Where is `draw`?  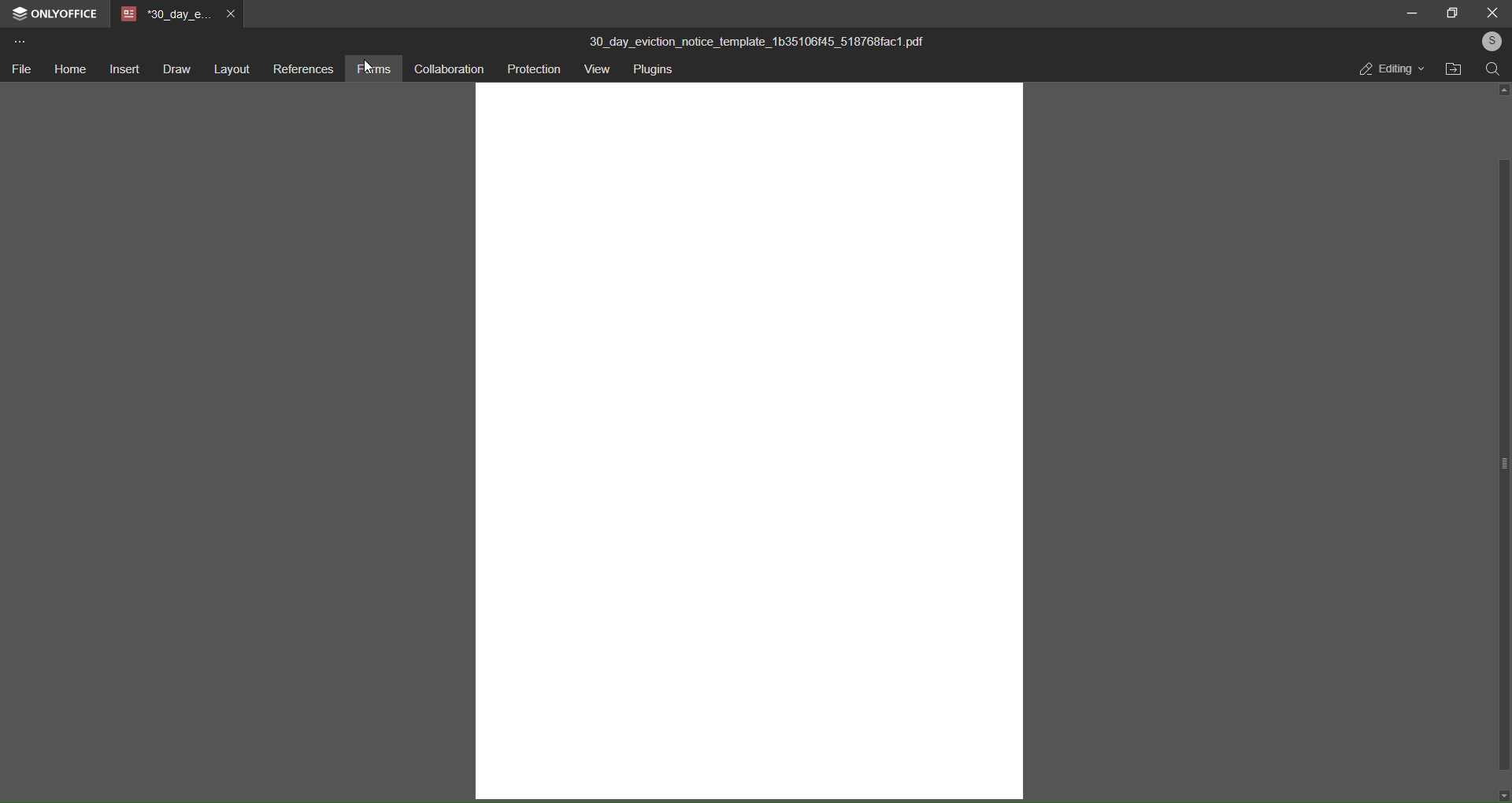
draw is located at coordinates (172, 67).